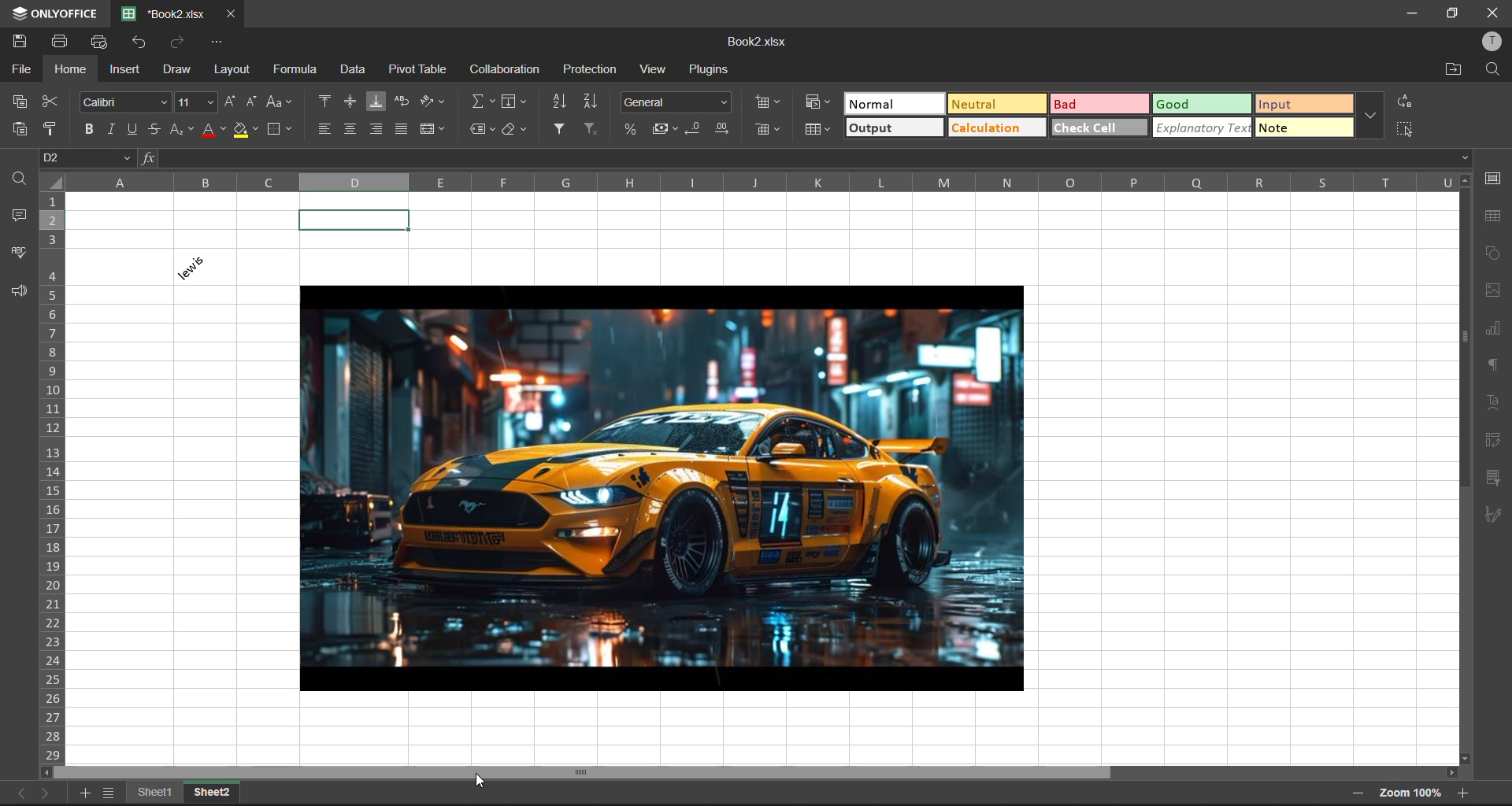 The image size is (1512, 806). I want to click on align right, so click(380, 130).